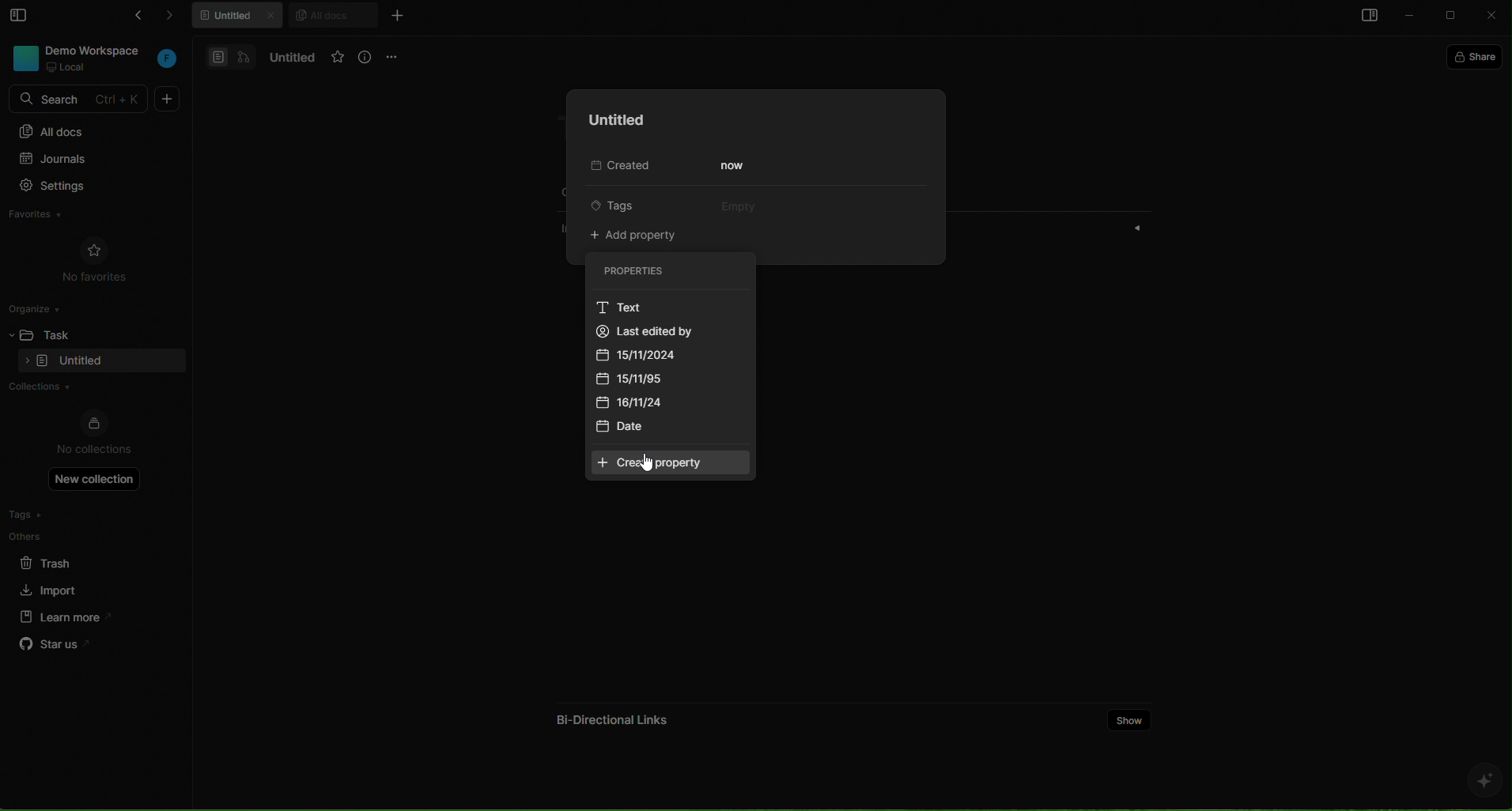 The height and width of the screenshot is (811, 1512). What do you see at coordinates (85, 160) in the screenshot?
I see `journals` at bounding box center [85, 160].